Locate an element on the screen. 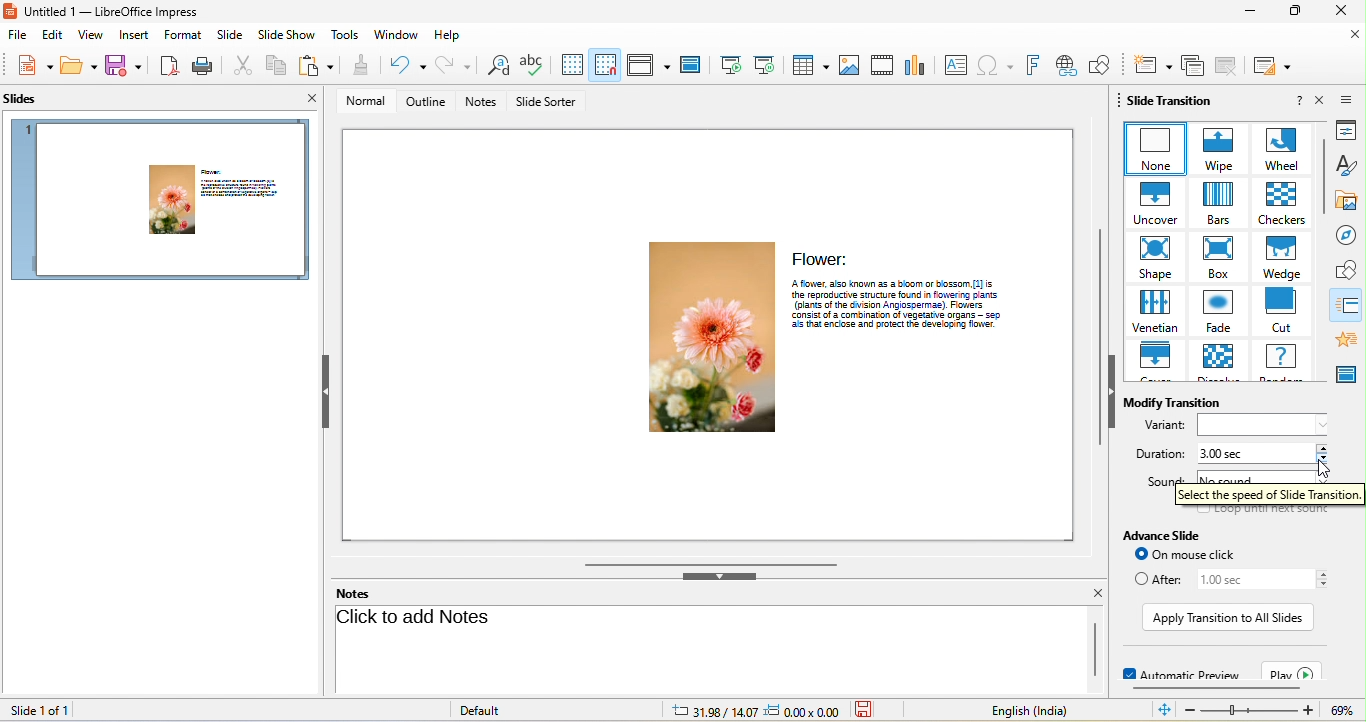  horizontal scroll bar is located at coordinates (1216, 687).